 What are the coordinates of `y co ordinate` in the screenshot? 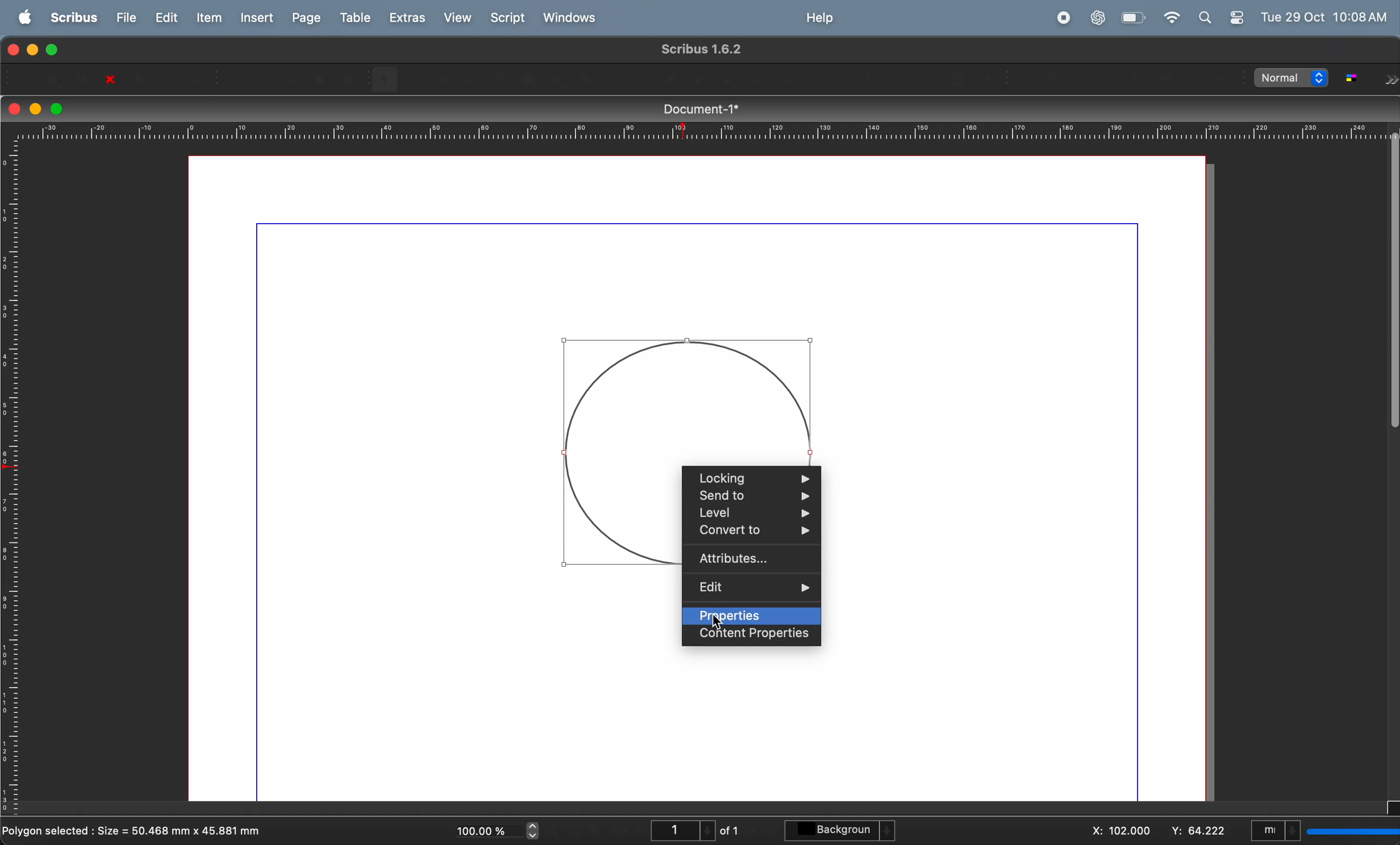 It's located at (1197, 830).